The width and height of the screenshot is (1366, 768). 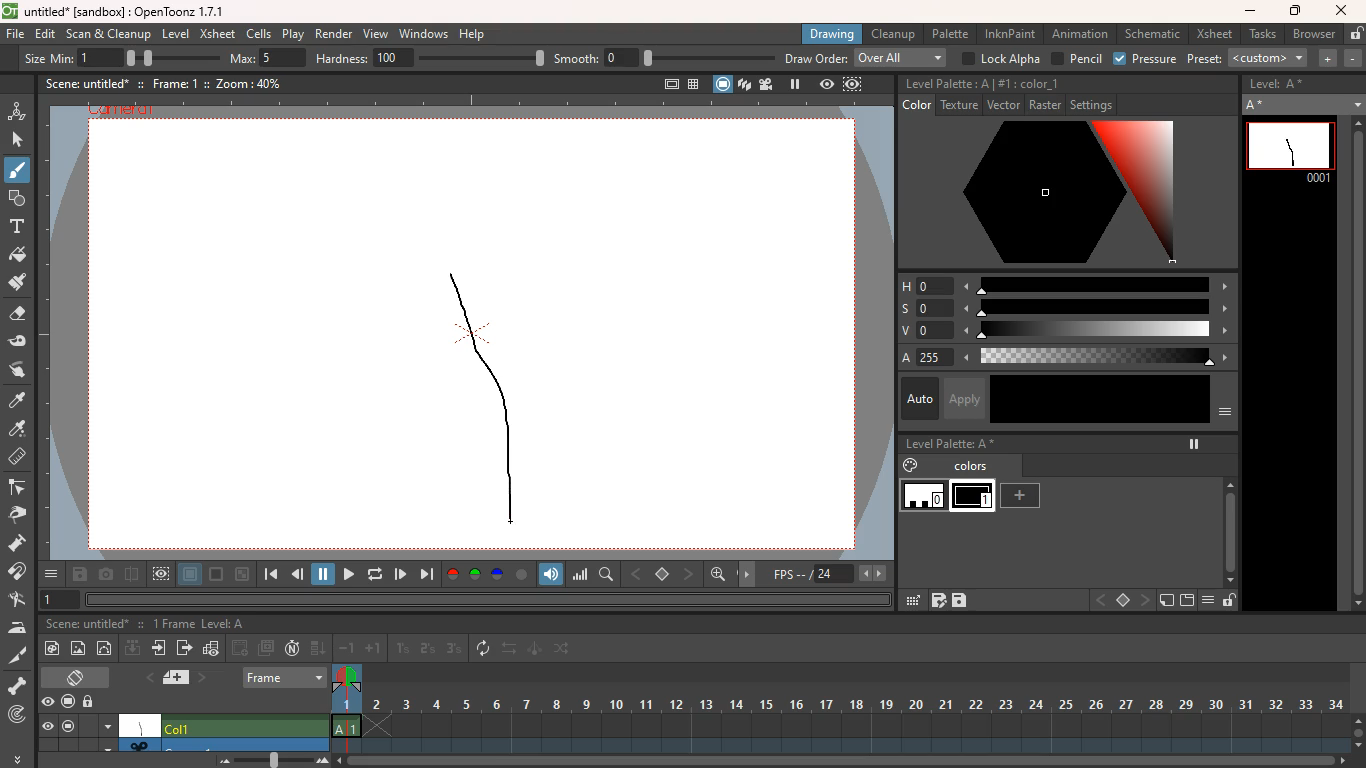 What do you see at coordinates (162, 574) in the screenshot?
I see `view` at bounding box center [162, 574].